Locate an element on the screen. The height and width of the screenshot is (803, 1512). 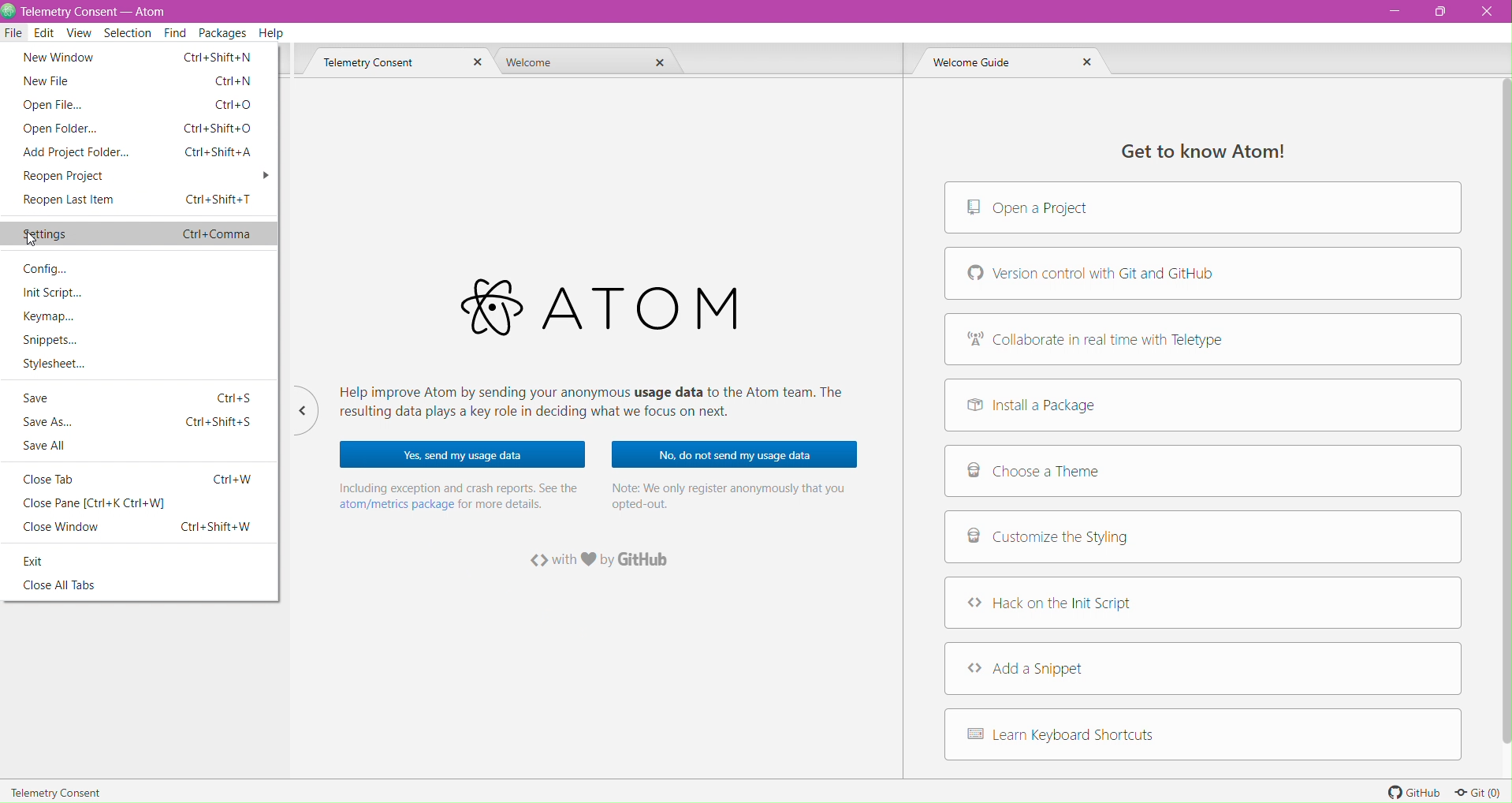
Save is located at coordinates (148, 398).